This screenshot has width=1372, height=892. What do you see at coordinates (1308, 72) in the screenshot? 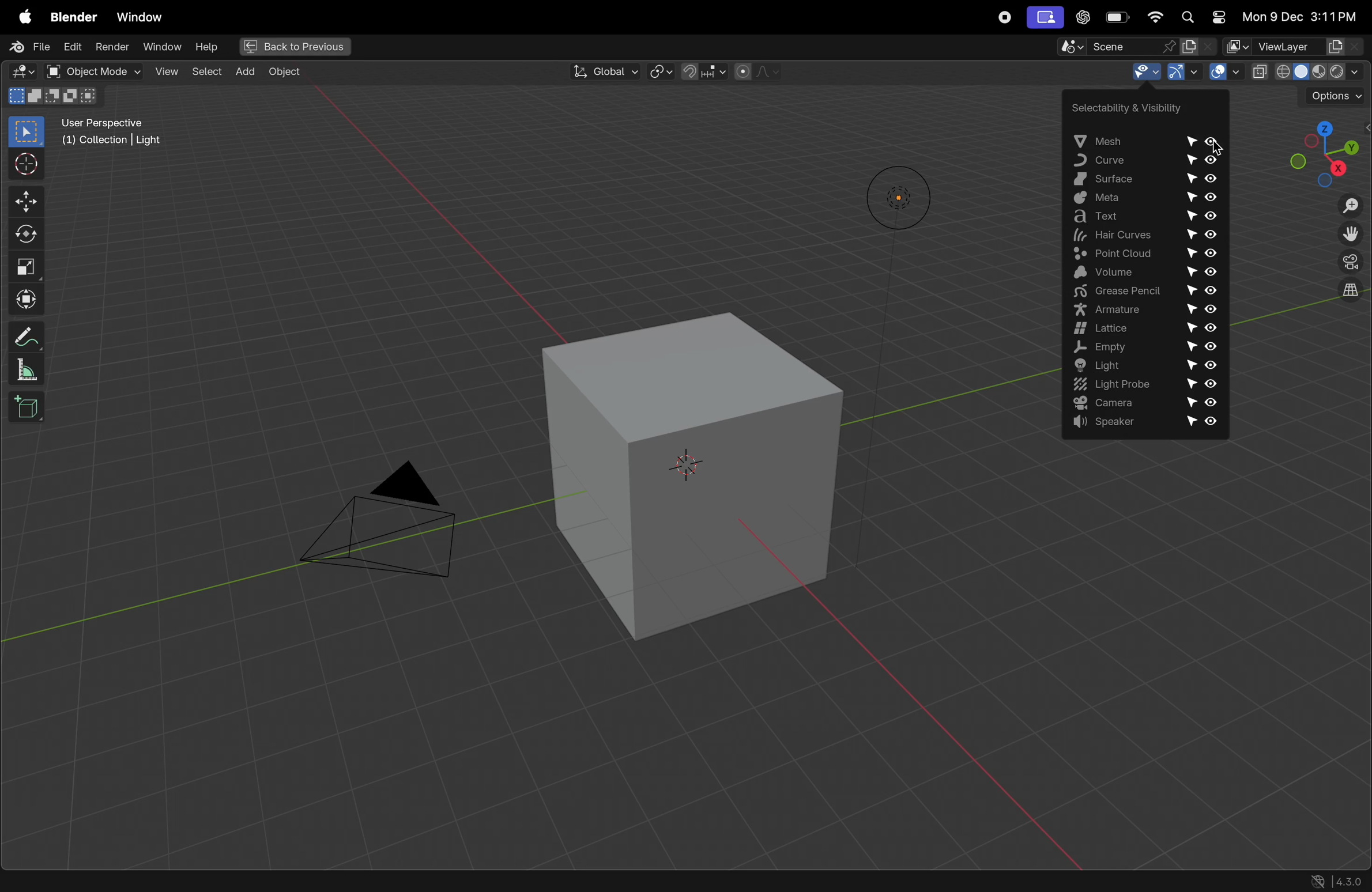
I see `view shading` at bounding box center [1308, 72].